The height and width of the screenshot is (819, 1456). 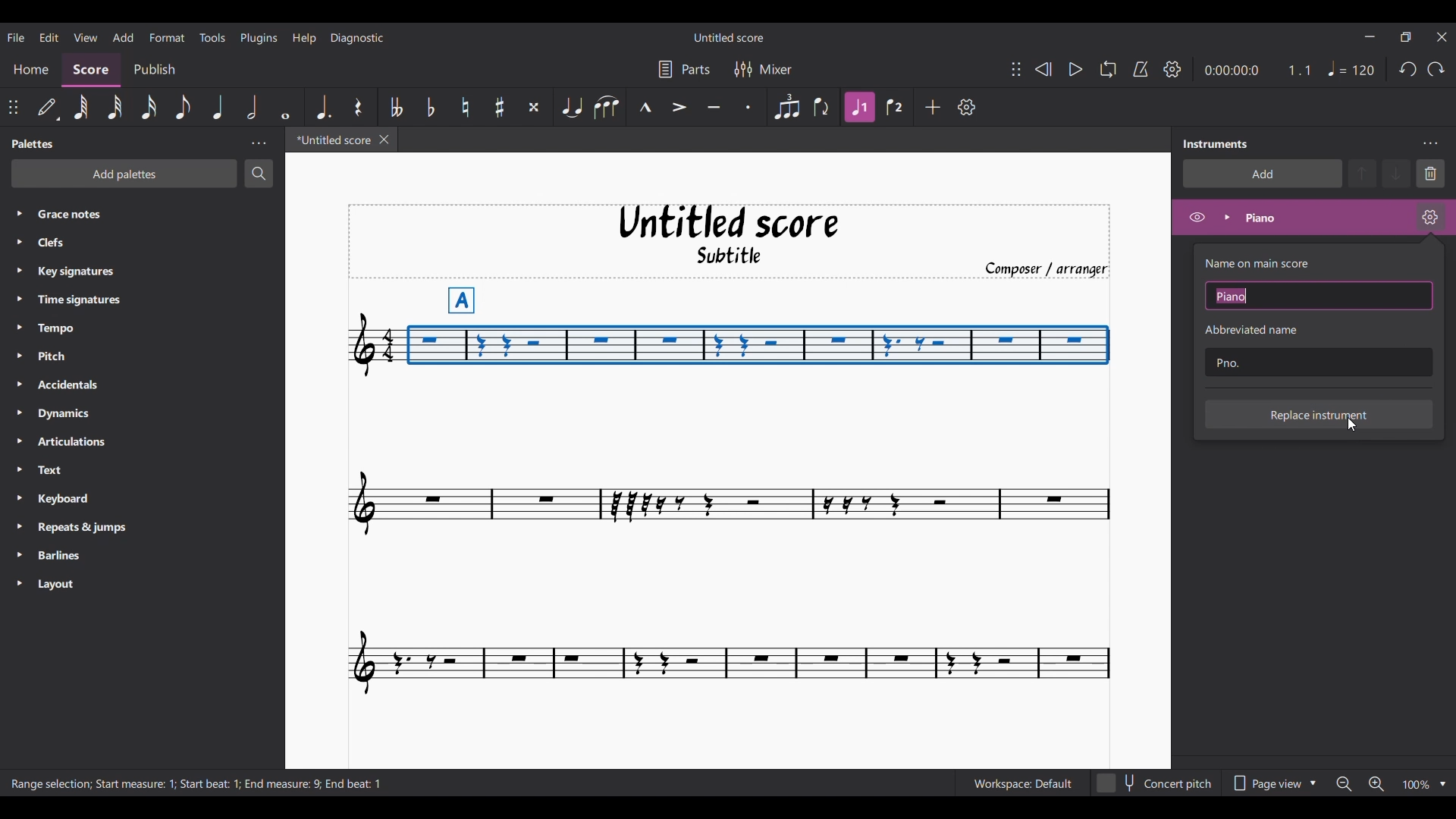 I want to click on Accidentals, so click(x=90, y=386).